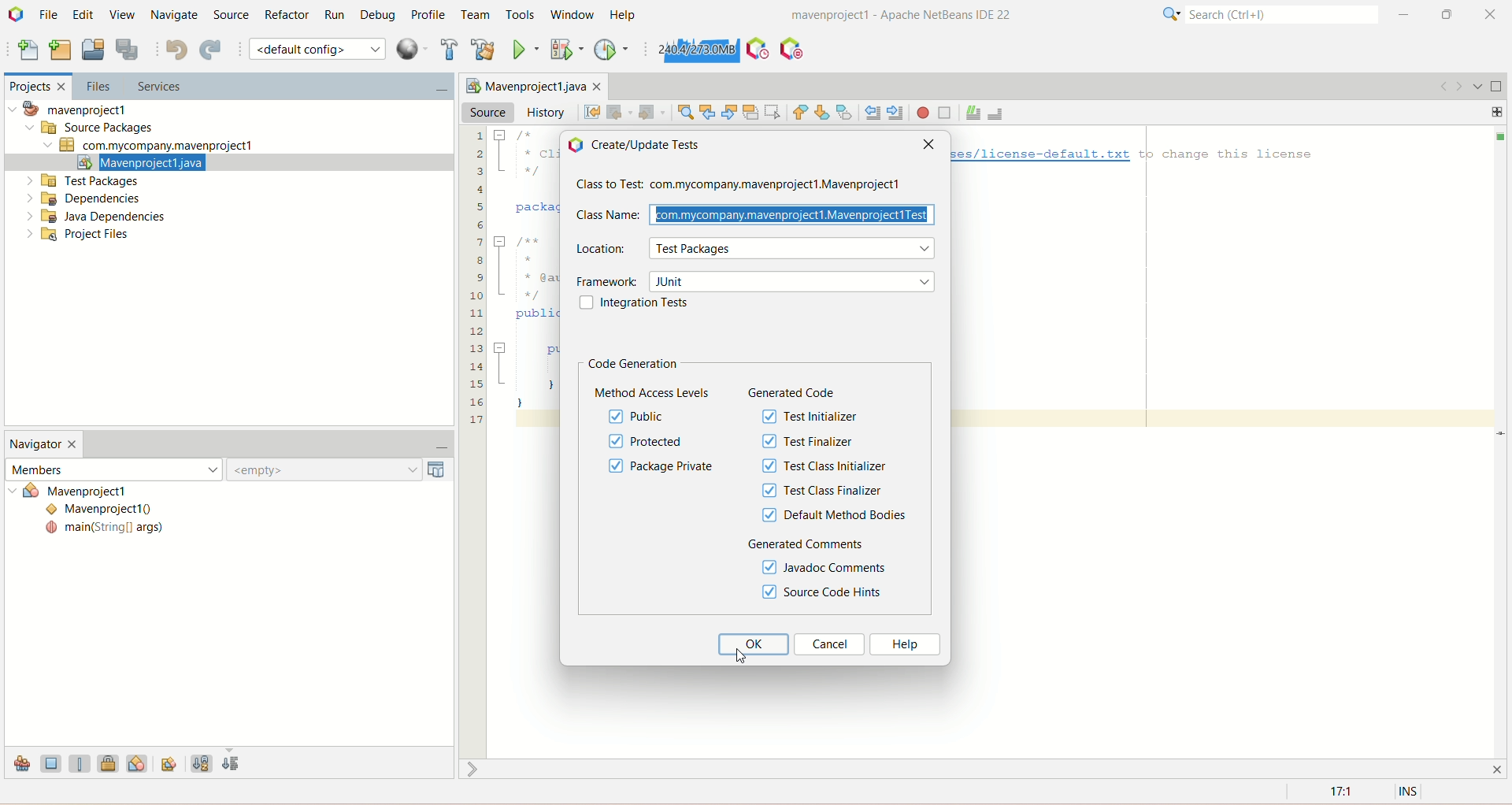  Describe the element at coordinates (531, 87) in the screenshot. I see `Mavenproject1java` at that location.